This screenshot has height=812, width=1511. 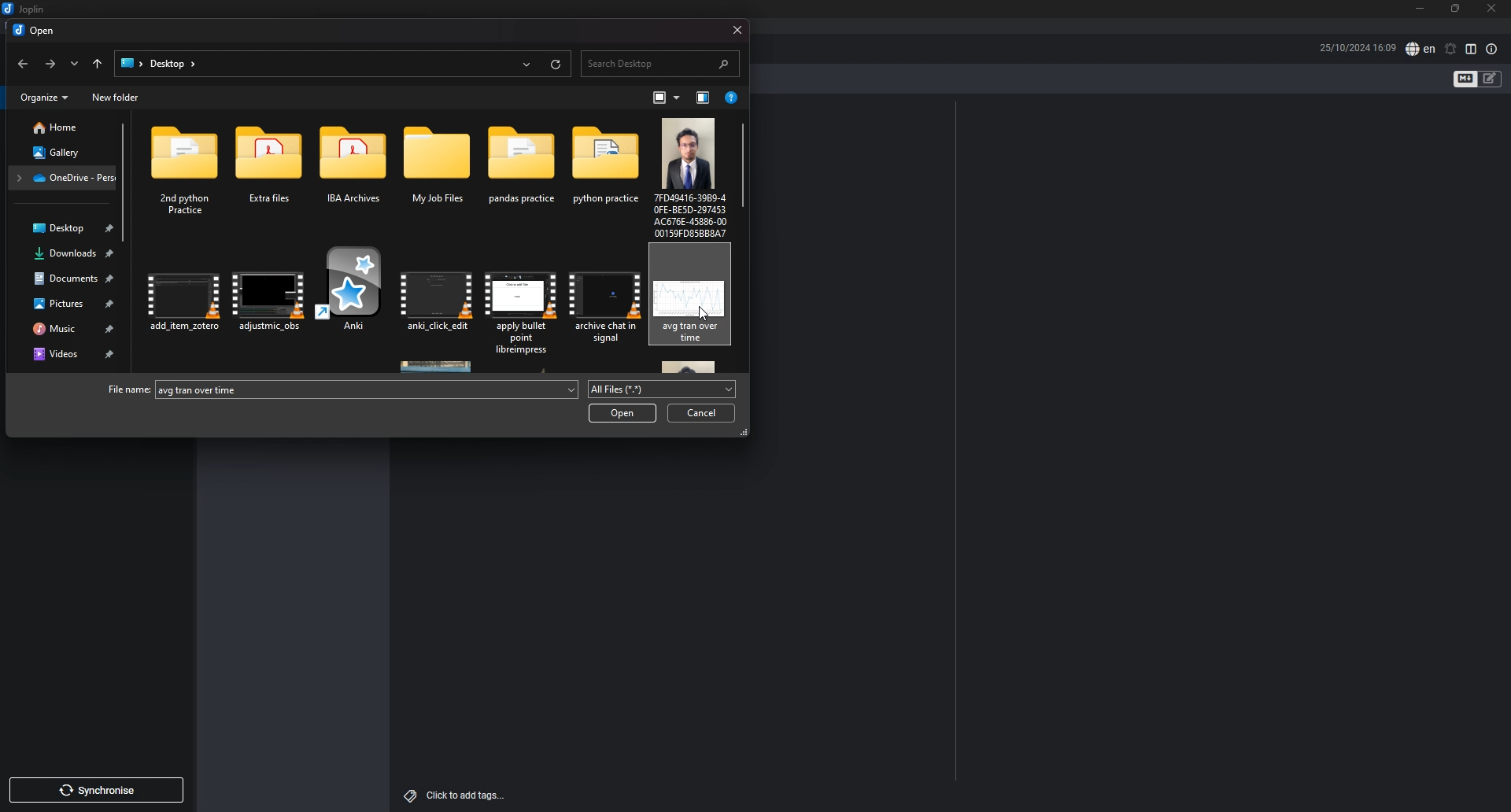 What do you see at coordinates (71, 65) in the screenshot?
I see `recent` at bounding box center [71, 65].